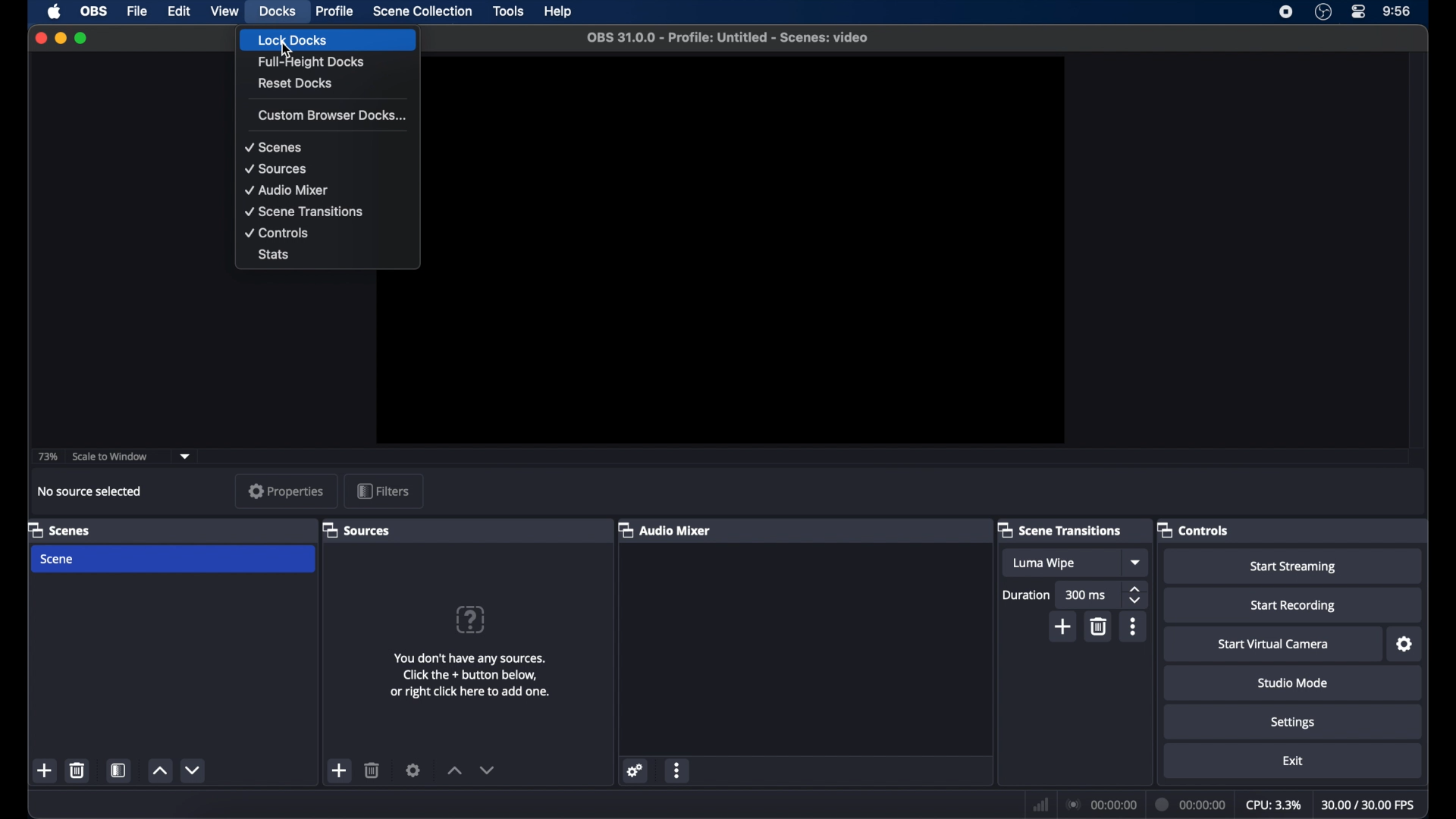 The width and height of the screenshot is (1456, 819). What do you see at coordinates (1065, 531) in the screenshot?
I see `scene transitions` at bounding box center [1065, 531].